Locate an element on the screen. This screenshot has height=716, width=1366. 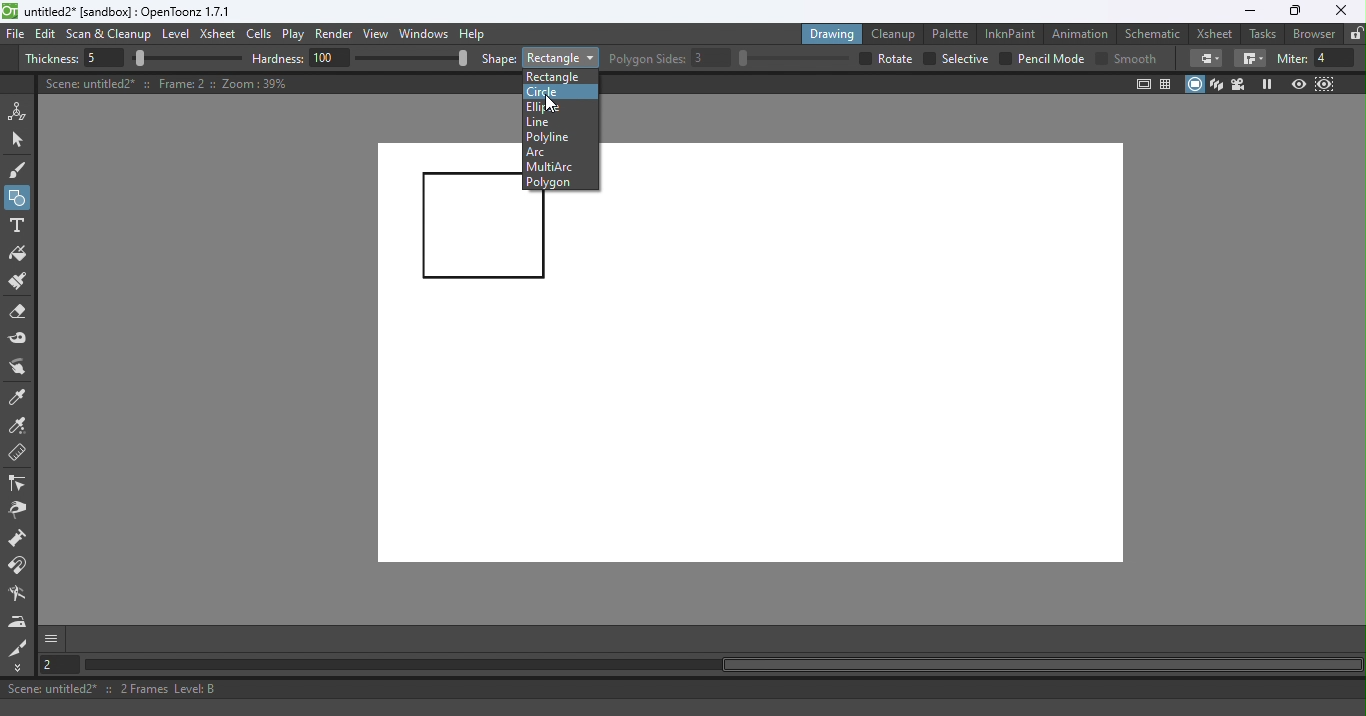
100 is located at coordinates (330, 57).